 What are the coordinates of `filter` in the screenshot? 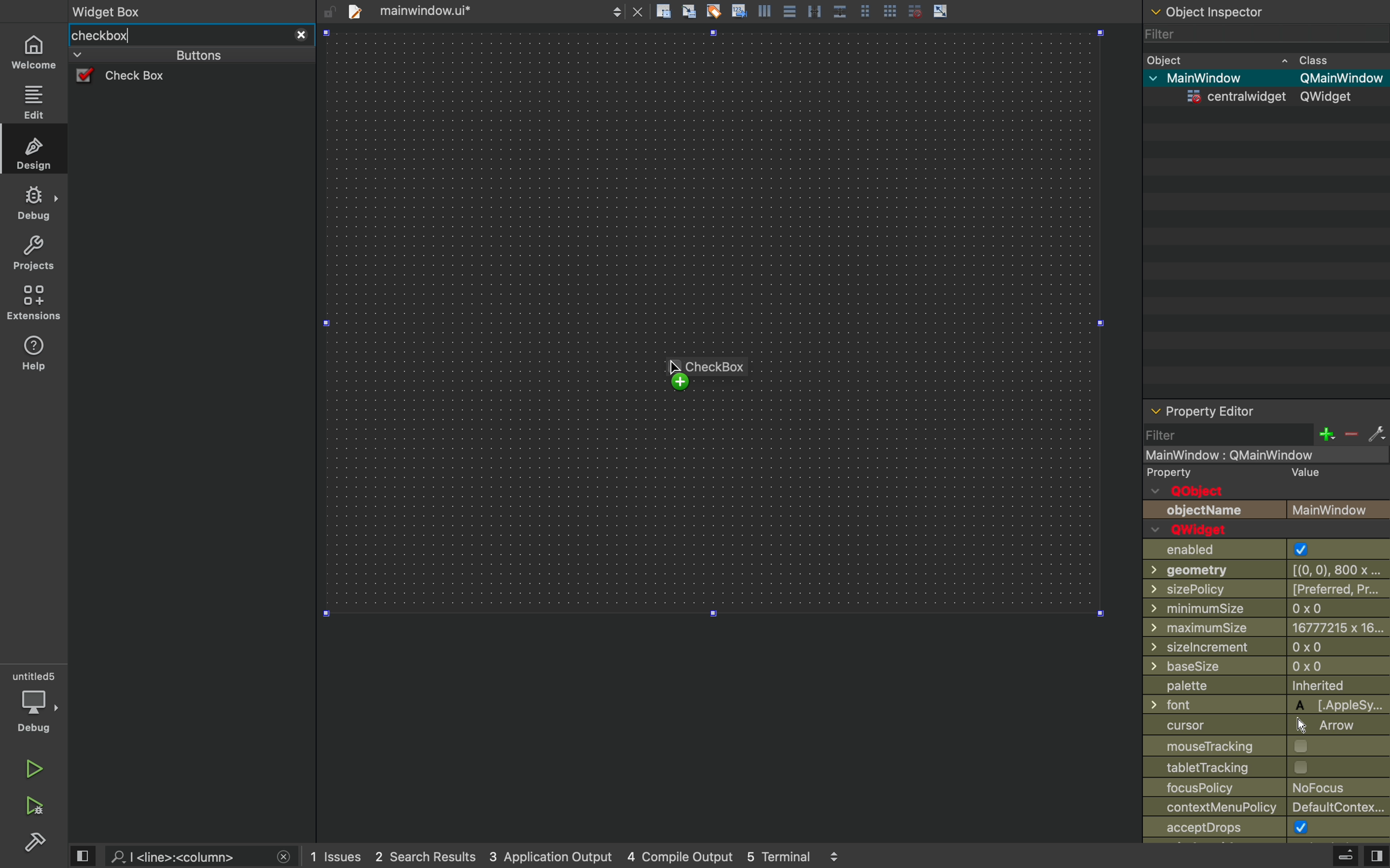 It's located at (1228, 434).